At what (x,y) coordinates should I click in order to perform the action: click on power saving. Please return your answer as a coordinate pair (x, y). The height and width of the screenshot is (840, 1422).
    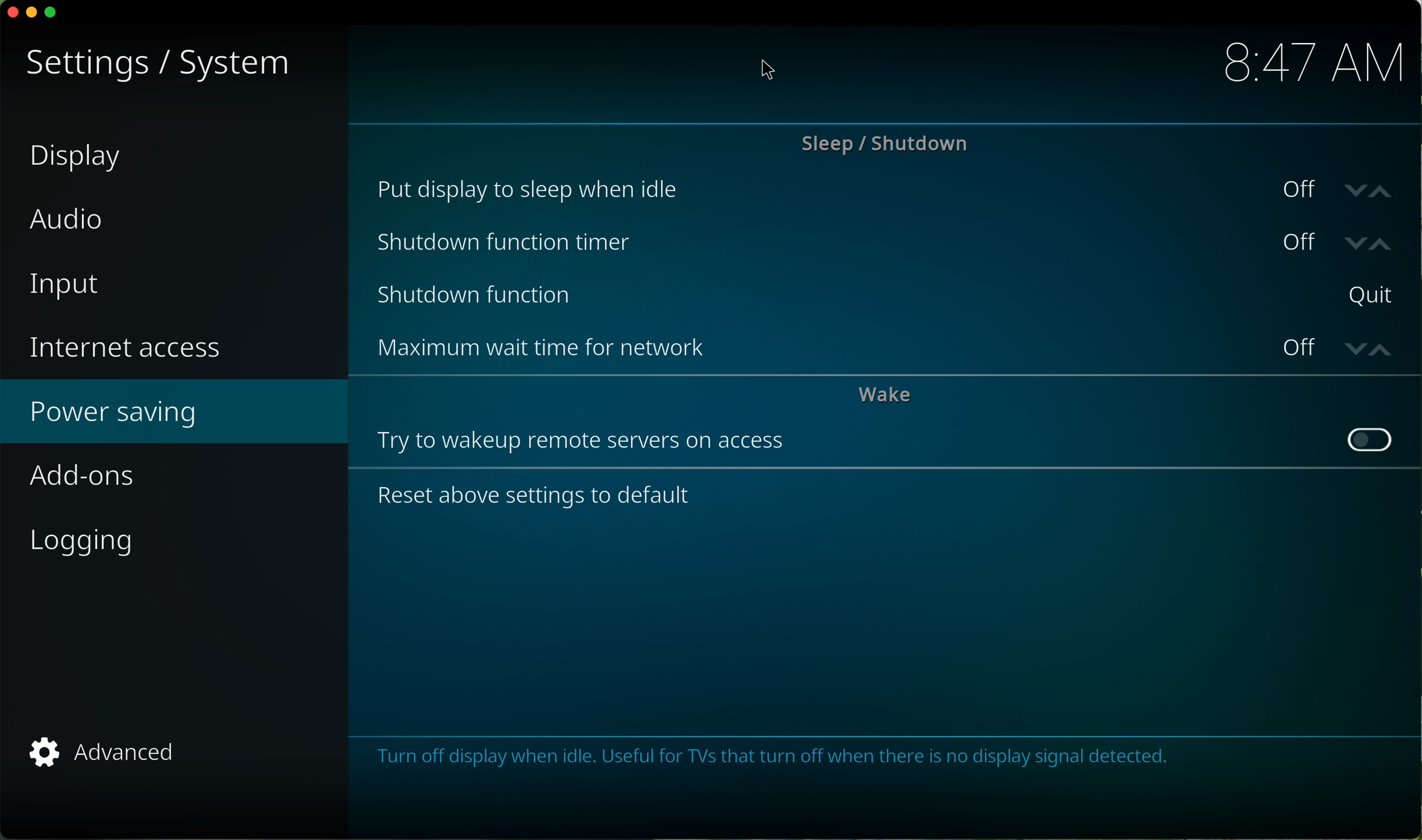
    Looking at the image, I should click on (175, 412).